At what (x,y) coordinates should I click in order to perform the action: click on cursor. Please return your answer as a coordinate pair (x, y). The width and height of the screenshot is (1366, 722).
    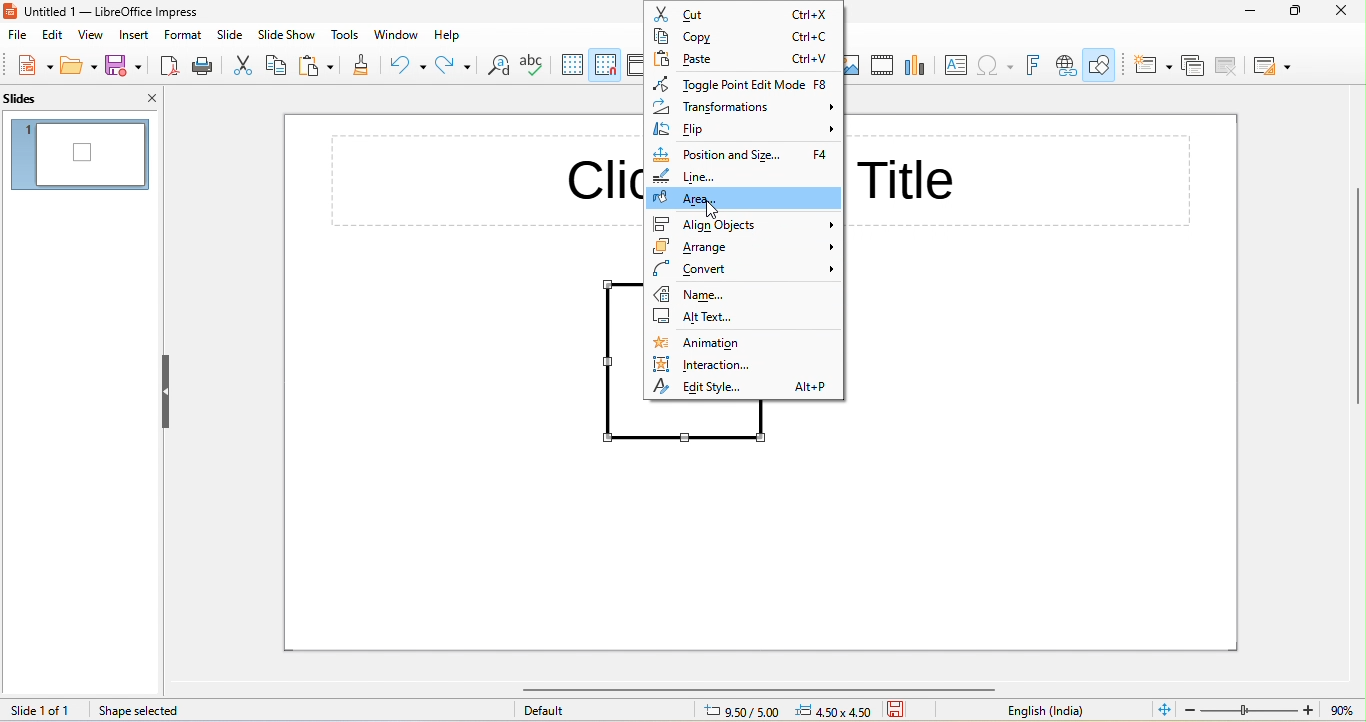
    Looking at the image, I should click on (712, 210).